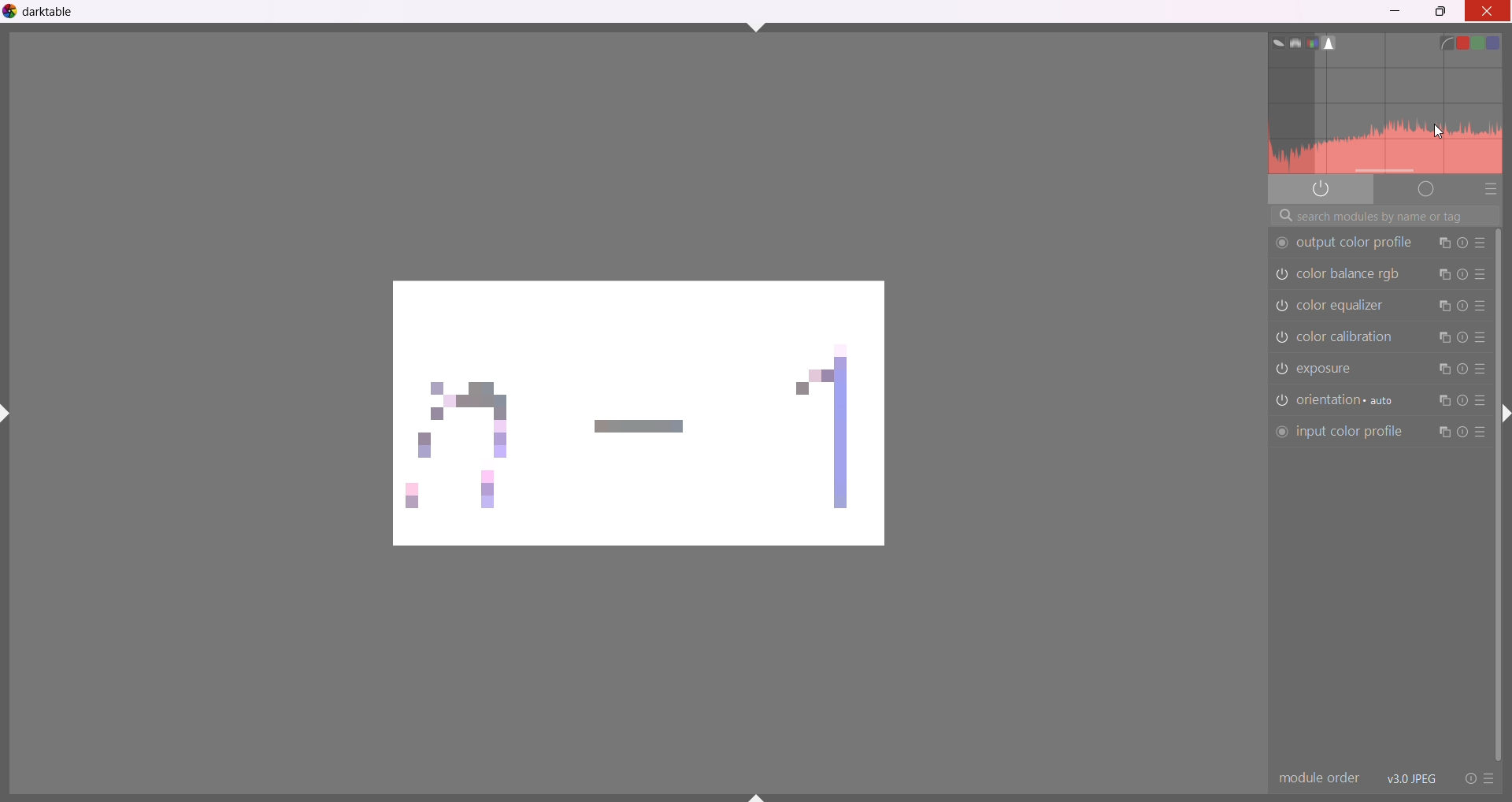 This screenshot has width=1512, height=802. I want to click on search, so click(1383, 217).